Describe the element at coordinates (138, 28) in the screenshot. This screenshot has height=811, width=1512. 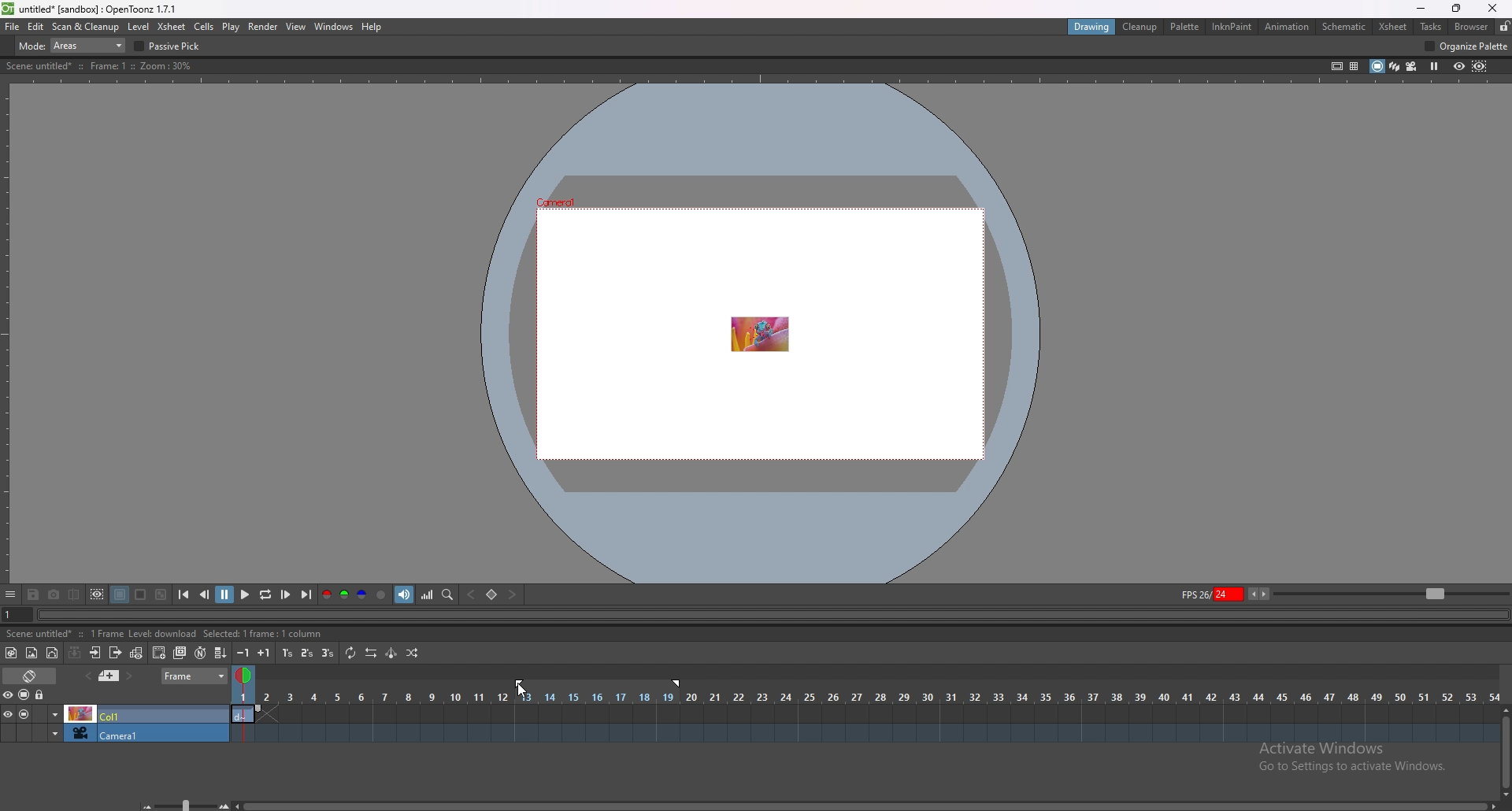
I see `level` at that location.